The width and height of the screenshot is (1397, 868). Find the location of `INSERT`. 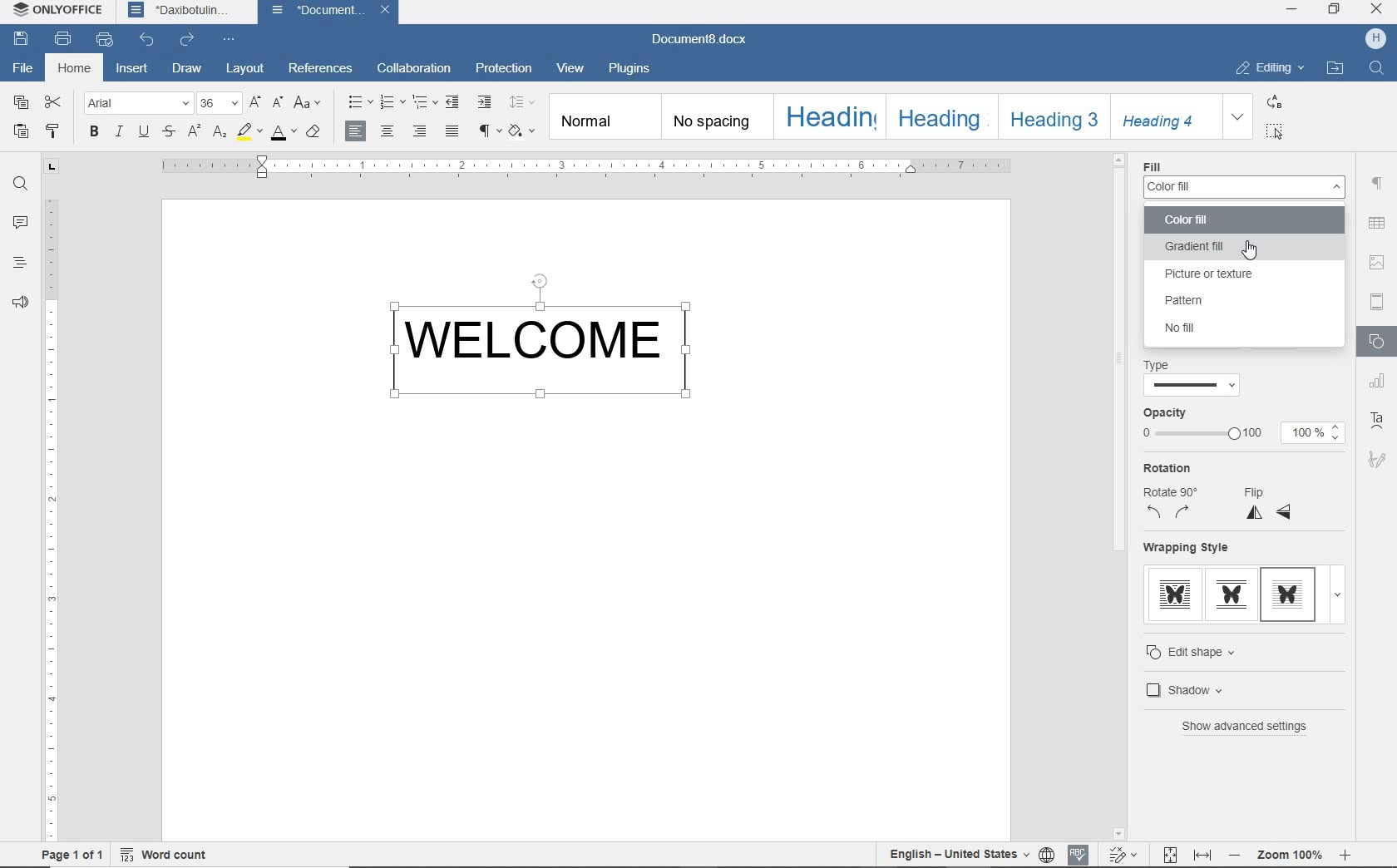

INSERT is located at coordinates (132, 70).